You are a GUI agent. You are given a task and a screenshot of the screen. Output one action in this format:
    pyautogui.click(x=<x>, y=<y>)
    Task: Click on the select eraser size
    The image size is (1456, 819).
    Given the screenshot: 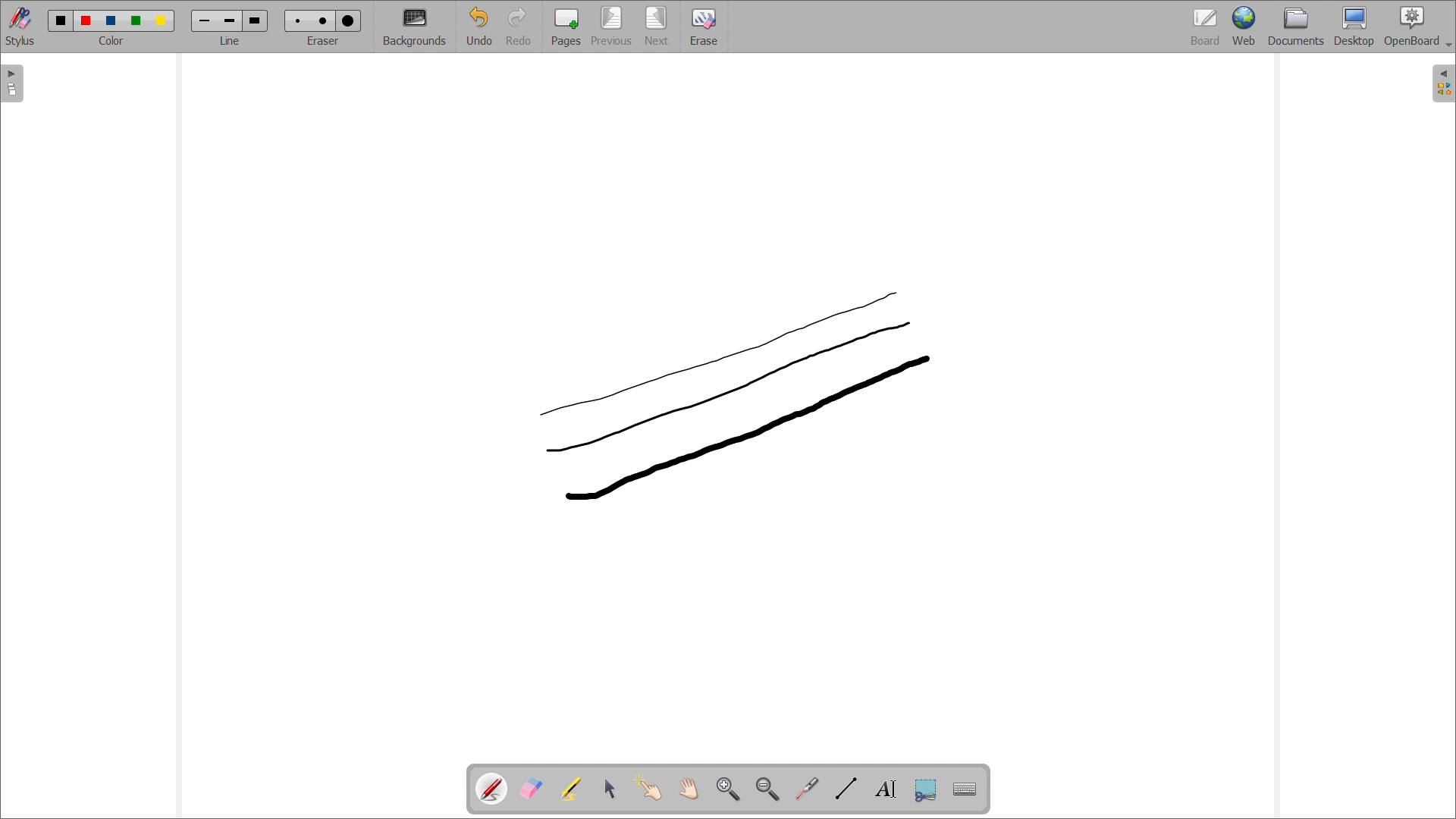 What is the action you would take?
    pyautogui.click(x=324, y=41)
    